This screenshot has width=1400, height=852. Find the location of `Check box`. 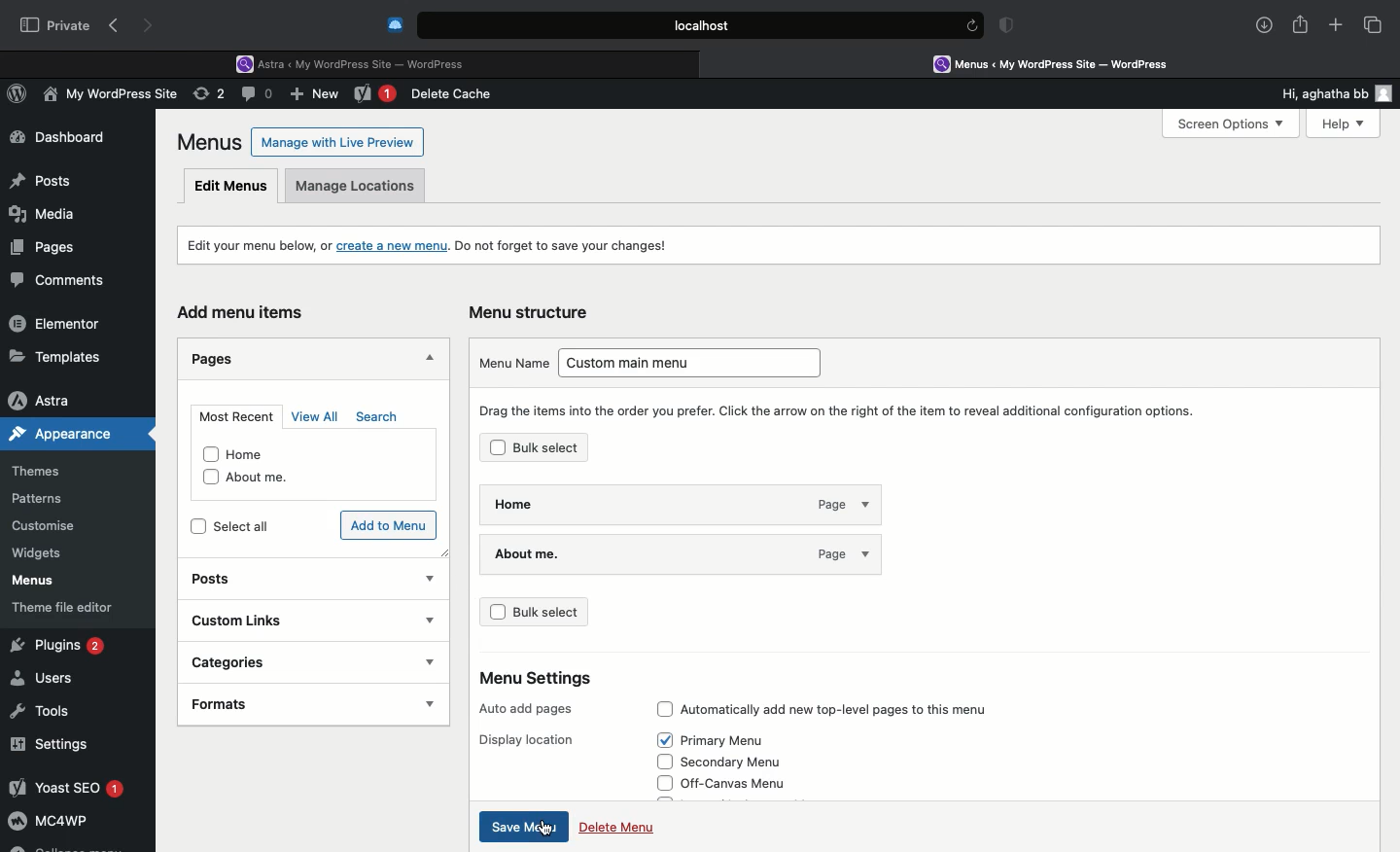

Check box is located at coordinates (666, 762).